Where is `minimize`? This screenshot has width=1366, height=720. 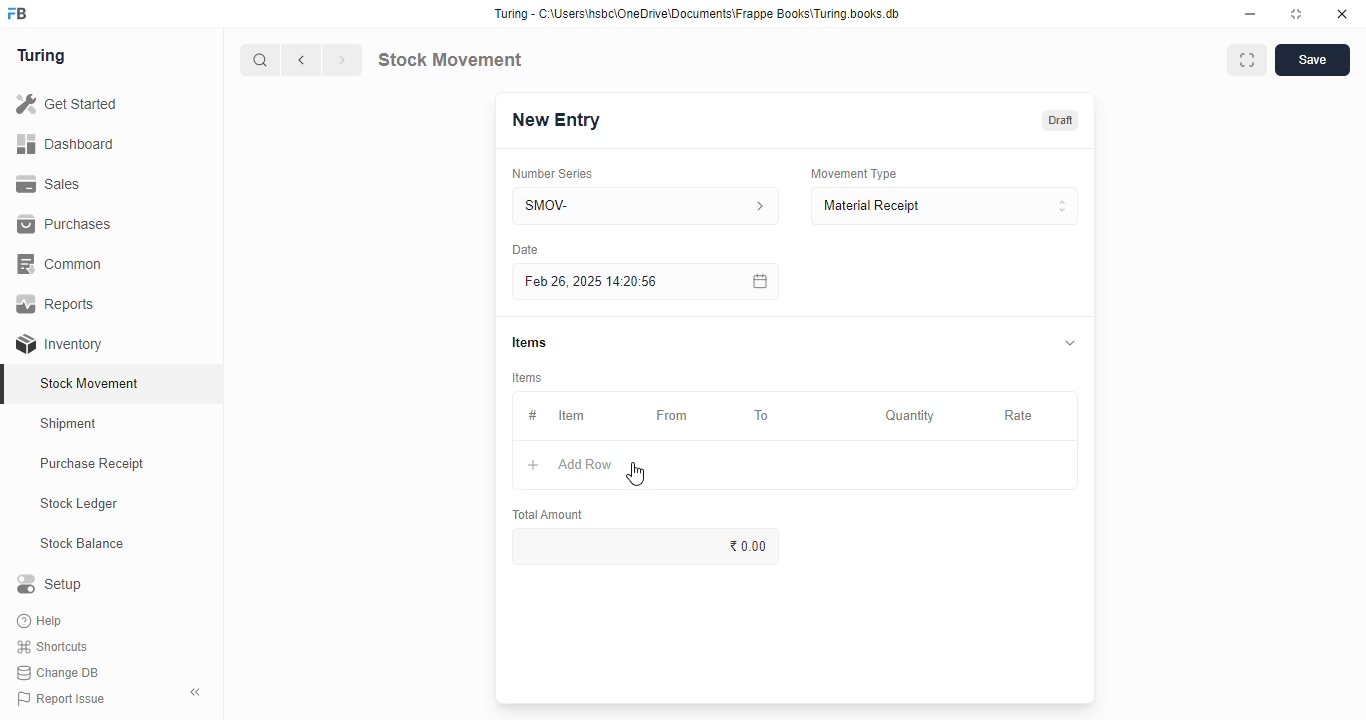 minimize is located at coordinates (1250, 15).